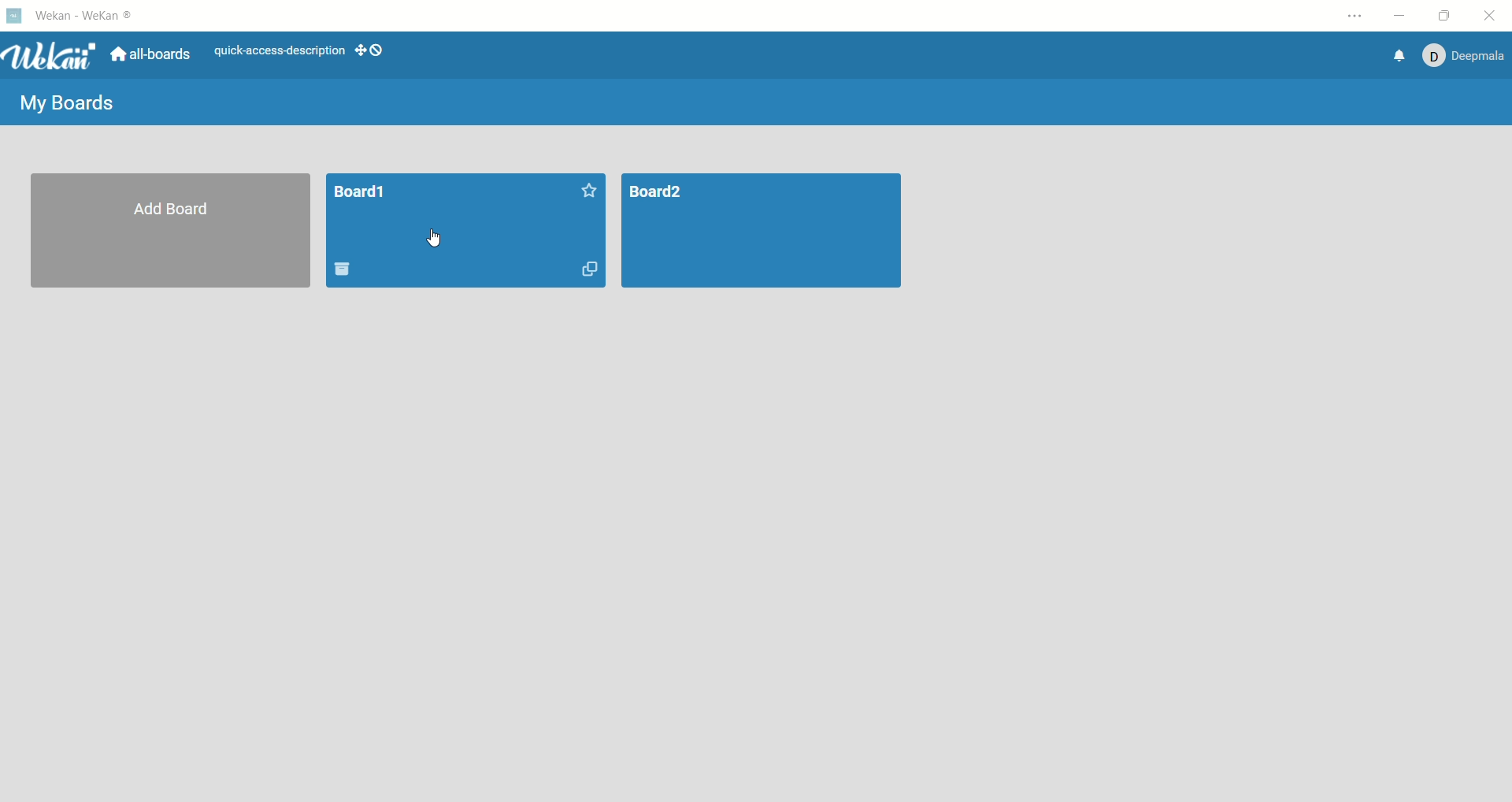  What do you see at coordinates (1355, 17) in the screenshot?
I see `settings and options` at bounding box center [1355, 17].